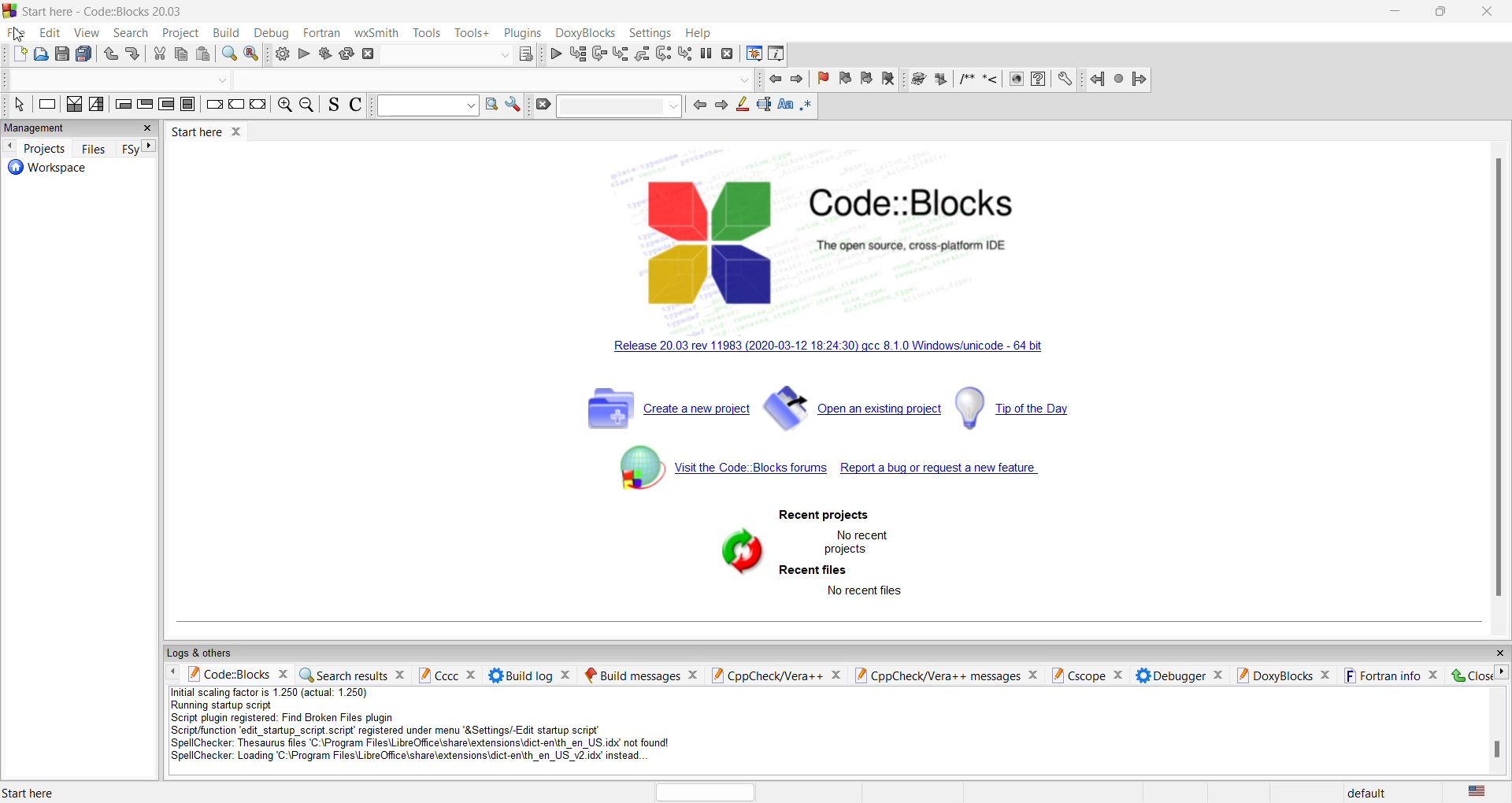 The image size is (1512, 803). What do you see at coordinates (272, 33) in the screenshot?
I see `debug` at bounding box center [272, 33].